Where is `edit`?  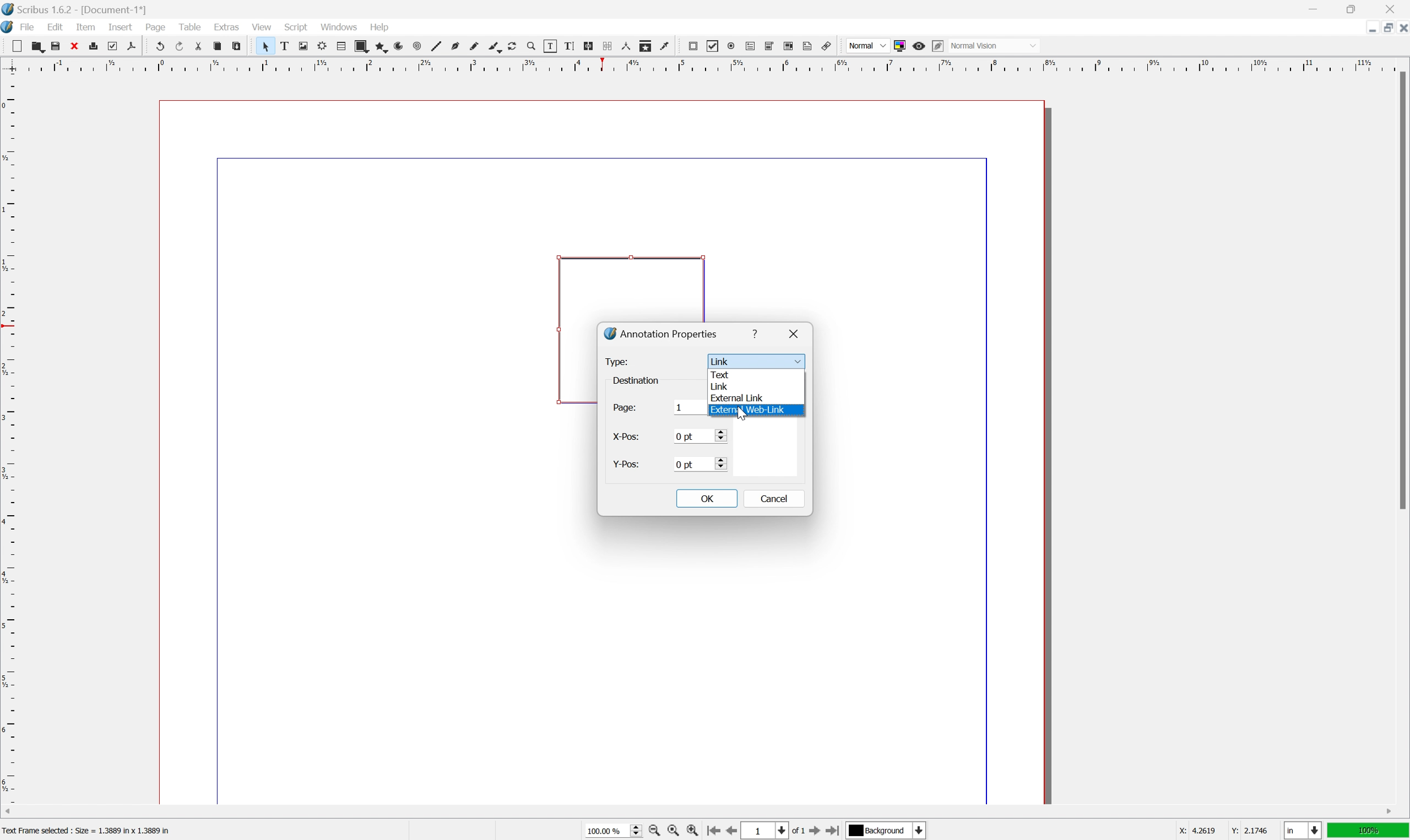 edit is located at coordinates (55, 27).